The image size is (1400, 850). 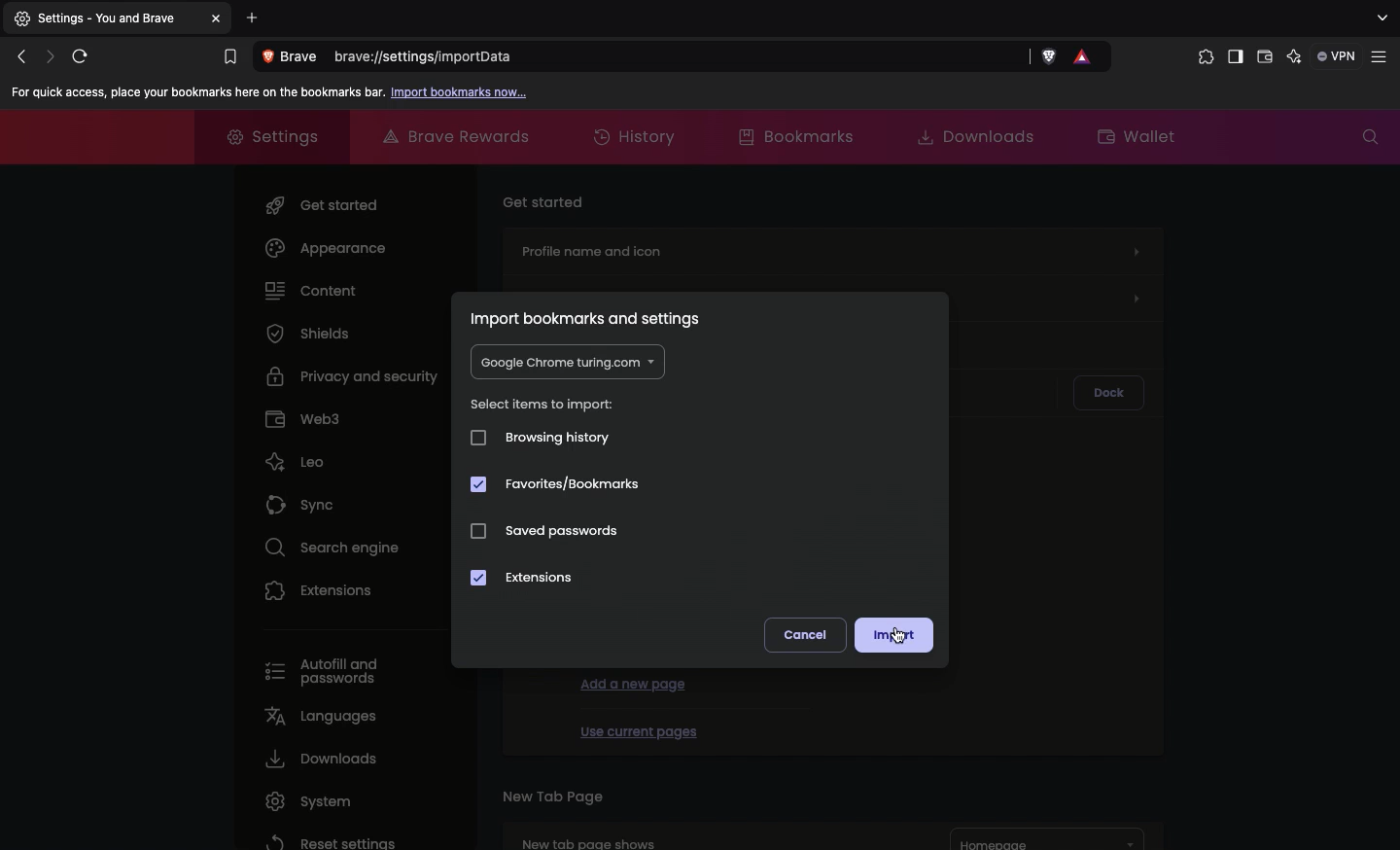 What do you see at coordinates (1265, 59) in the screenshot?
I see `Wallet` at bounding box center [1265, 59].